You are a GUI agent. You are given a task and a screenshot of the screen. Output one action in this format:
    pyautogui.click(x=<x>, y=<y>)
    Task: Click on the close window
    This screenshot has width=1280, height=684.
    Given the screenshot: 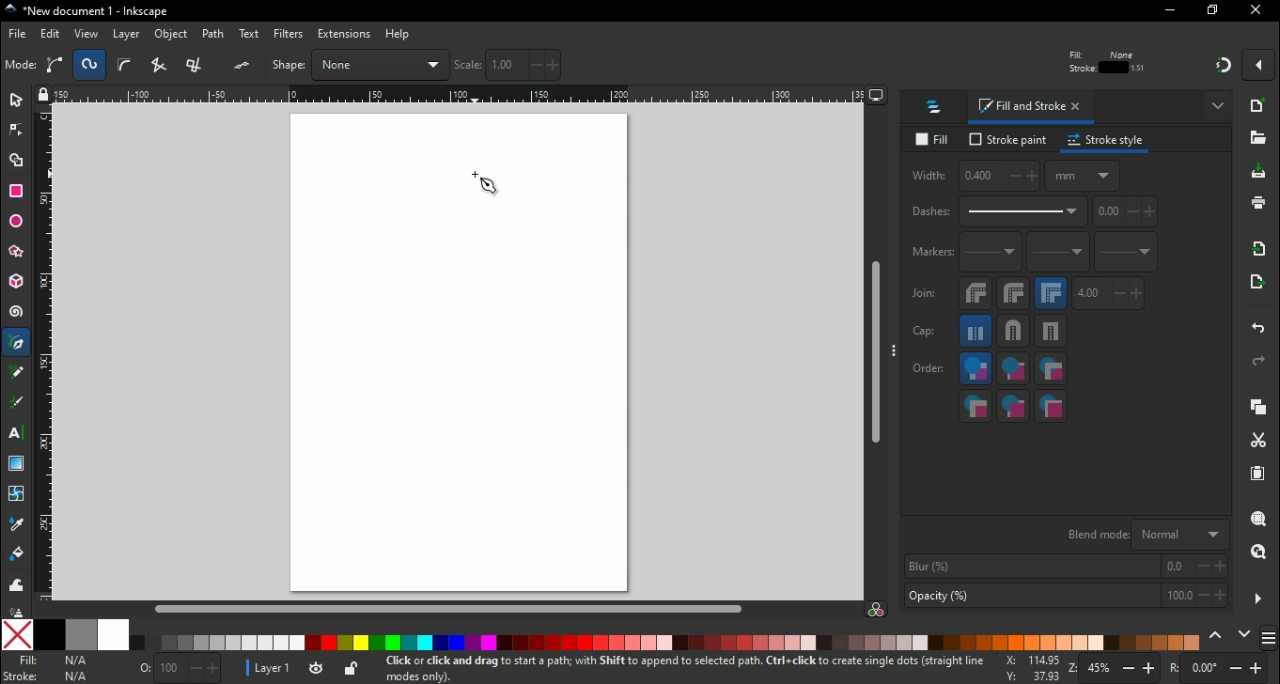 What is the action you would take?
    pyautogui.click(x=1258, y=11)
    